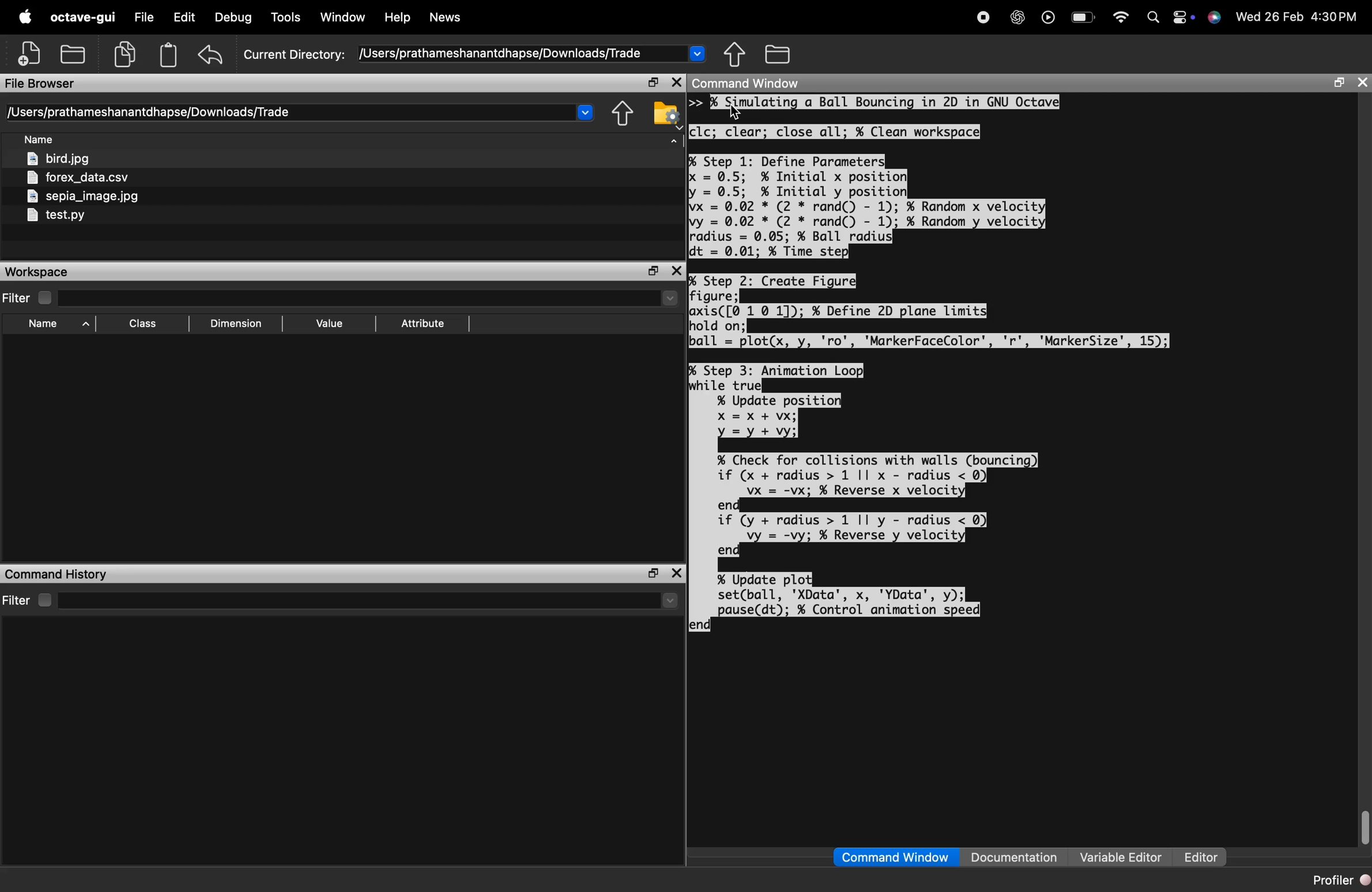  I want to click on Current Directory:, so click(295, 54).